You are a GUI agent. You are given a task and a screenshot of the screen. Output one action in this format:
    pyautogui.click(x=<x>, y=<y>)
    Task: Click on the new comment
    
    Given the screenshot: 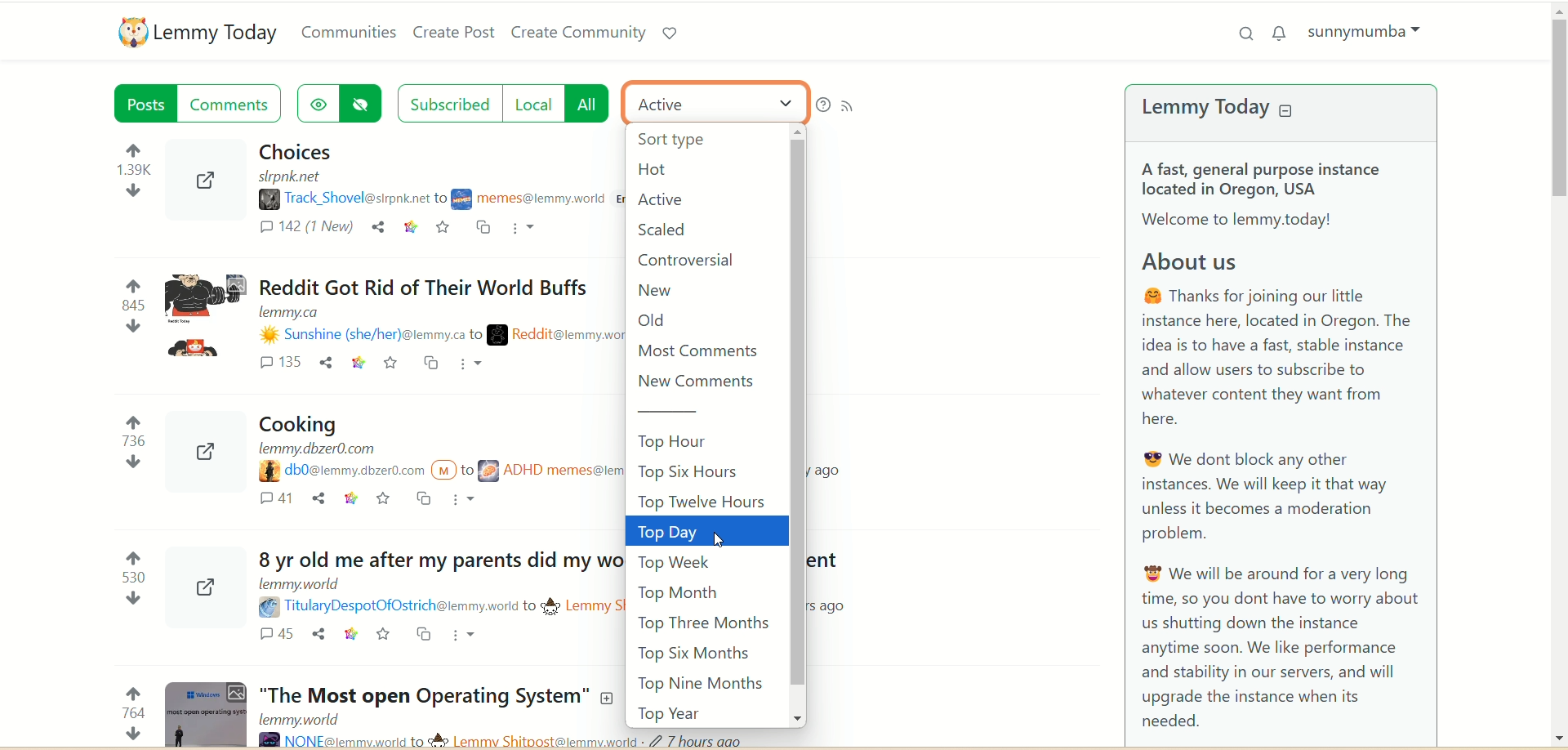 What is the action you would take?
    pyautogui.click(x=705, y=382)
    